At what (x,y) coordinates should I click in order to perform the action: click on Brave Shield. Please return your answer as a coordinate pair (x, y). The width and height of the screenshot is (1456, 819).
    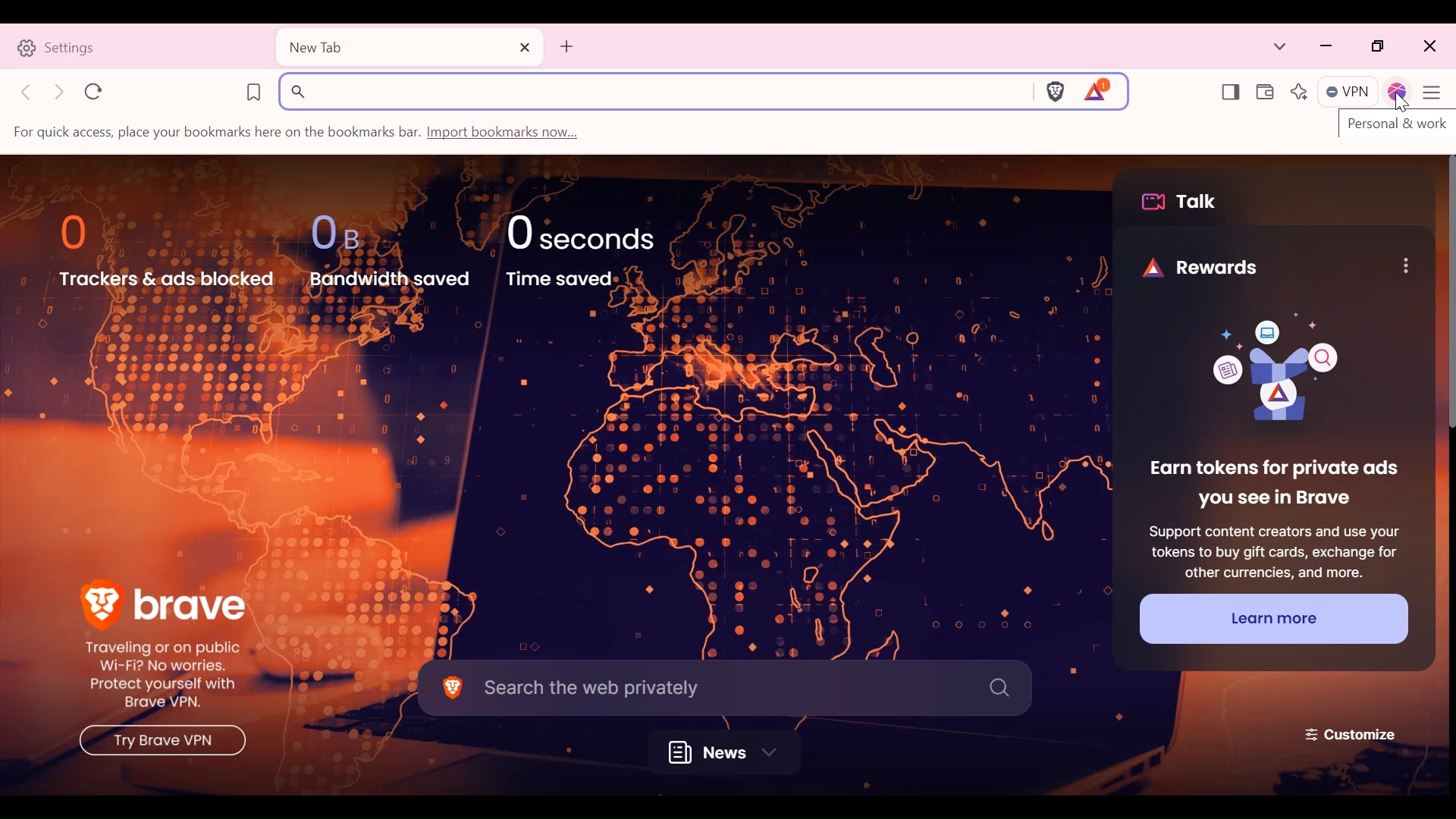
    Looking at the image, I should click on (1054, 90).